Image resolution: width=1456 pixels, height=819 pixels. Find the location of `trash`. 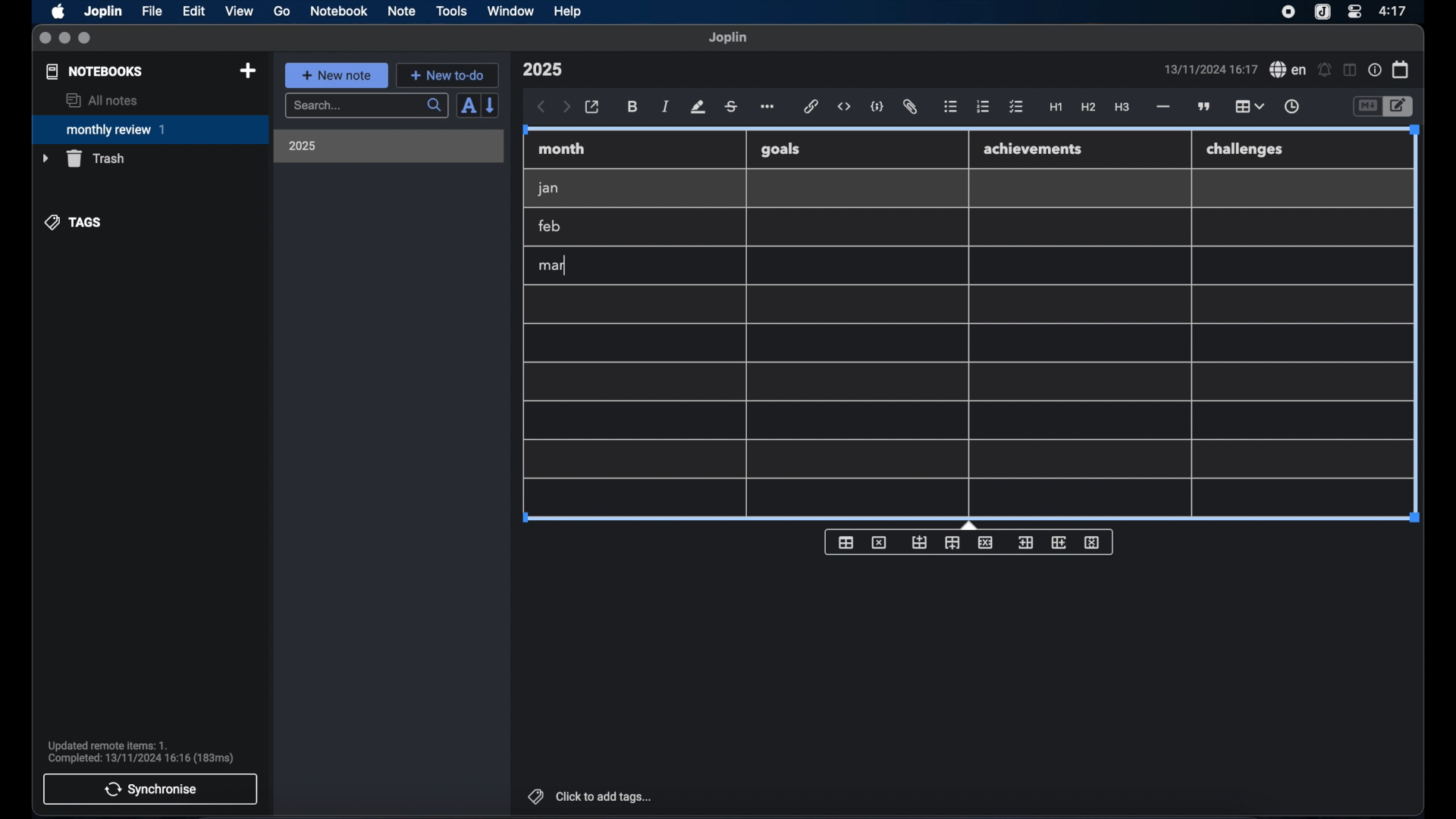

trash is located at coordinates (83, 158).